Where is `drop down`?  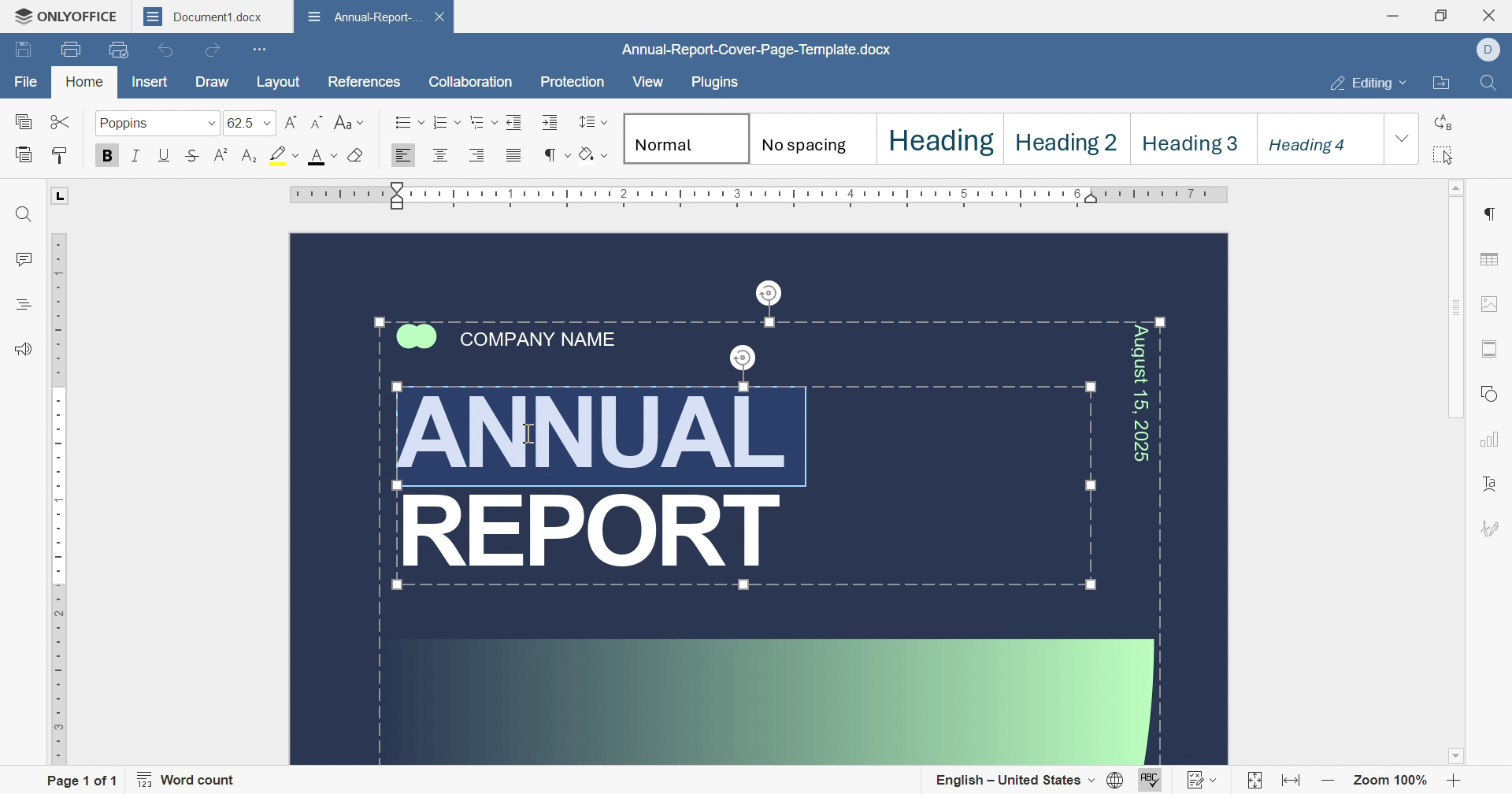 drop down is located at coordinates (1403, 139).